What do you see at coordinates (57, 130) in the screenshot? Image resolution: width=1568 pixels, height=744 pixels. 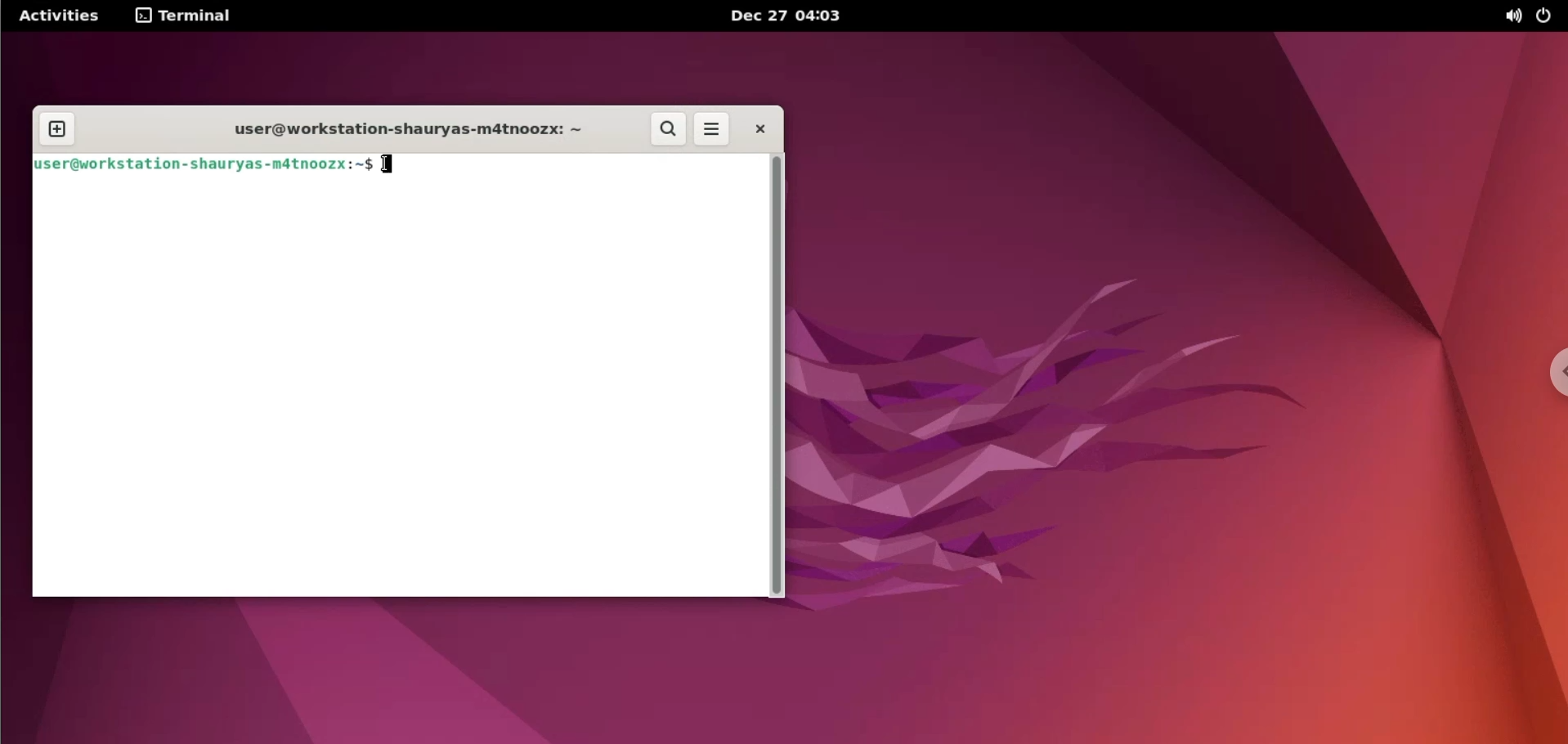 I see `new tab` at bounding box center [57, 130].